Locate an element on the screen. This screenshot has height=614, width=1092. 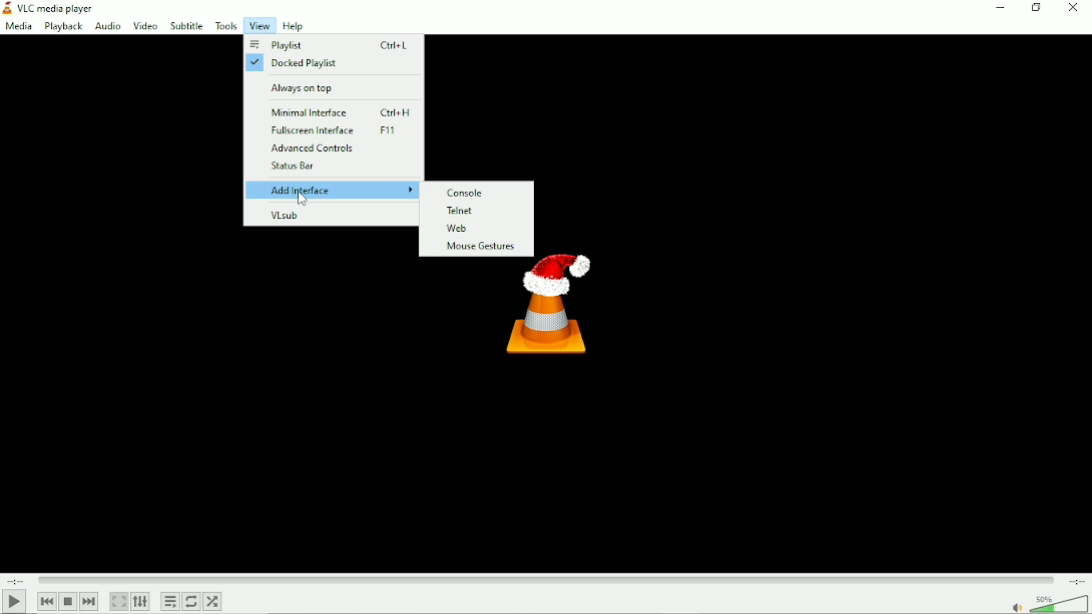
VLC logo is located at coordinates (7, 7).